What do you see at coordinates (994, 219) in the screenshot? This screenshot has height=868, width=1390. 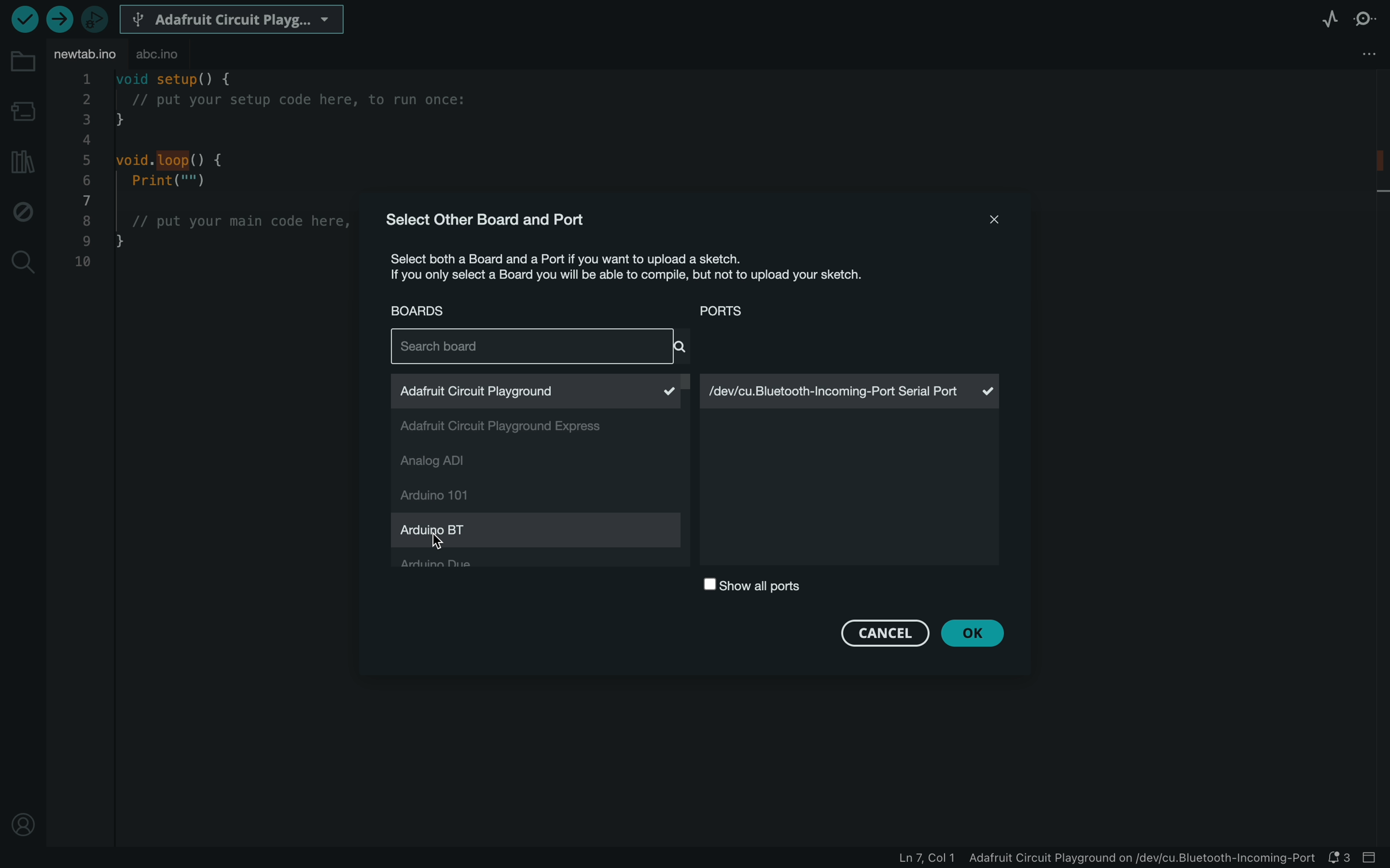 I see `close` at bounding box center [994, 219].